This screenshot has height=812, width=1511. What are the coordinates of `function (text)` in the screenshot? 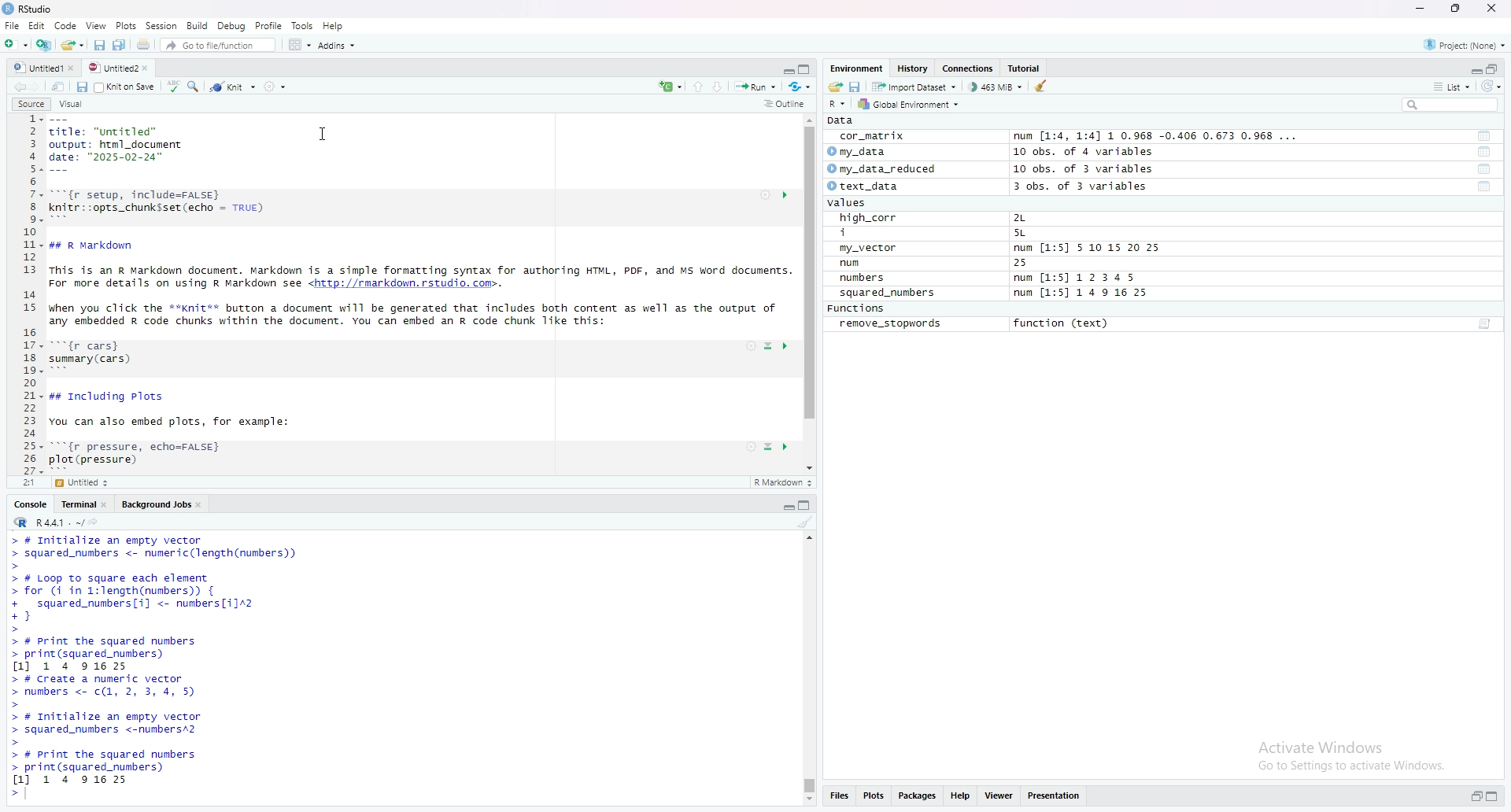 It's located at (1064, 325).